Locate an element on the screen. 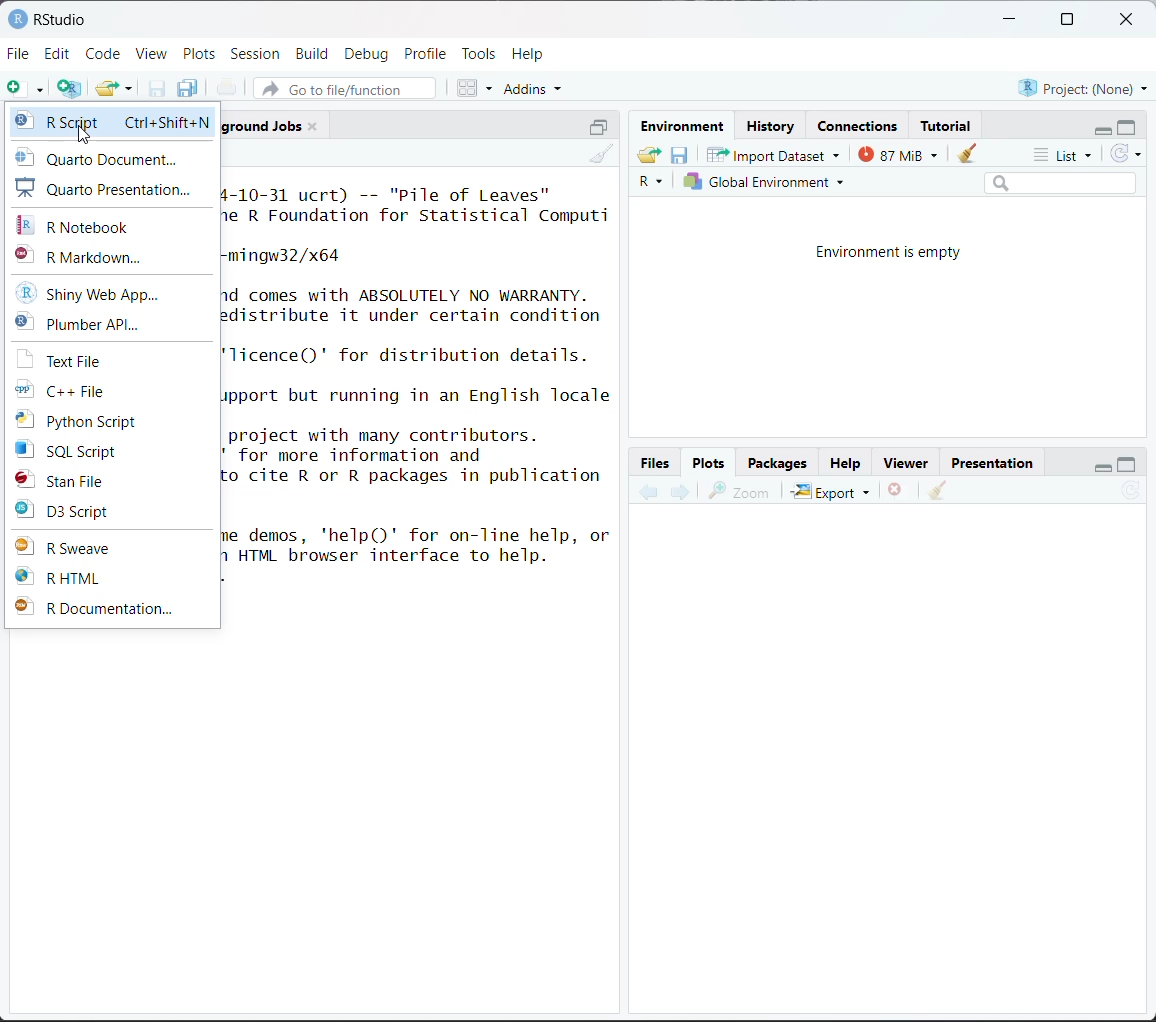 The height and width of the screenshot is (1022, 1156). Quarto Presentation... is located at coordinates (103, 189).